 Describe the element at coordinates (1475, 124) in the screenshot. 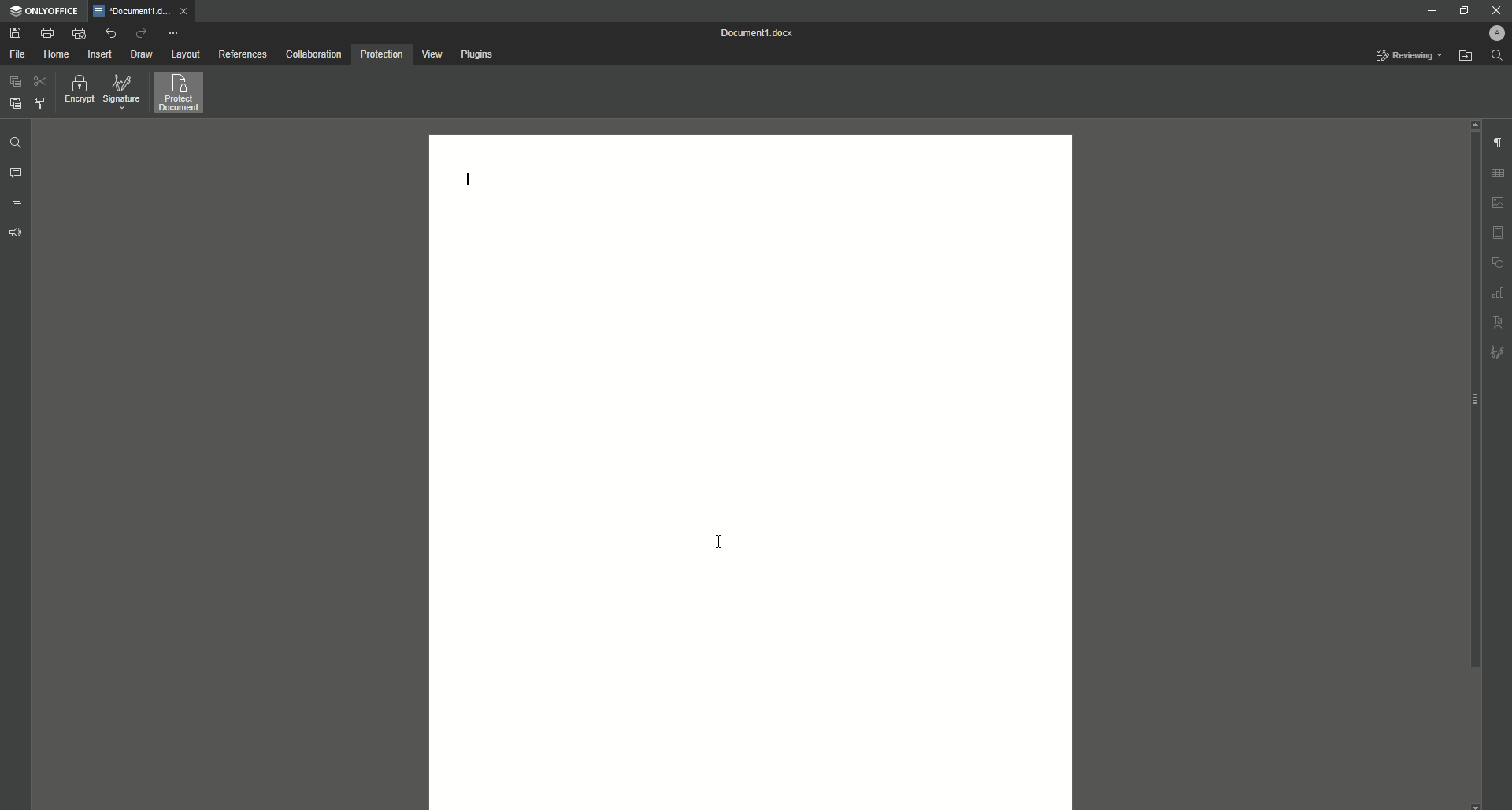

I see `scroll up` at that location.